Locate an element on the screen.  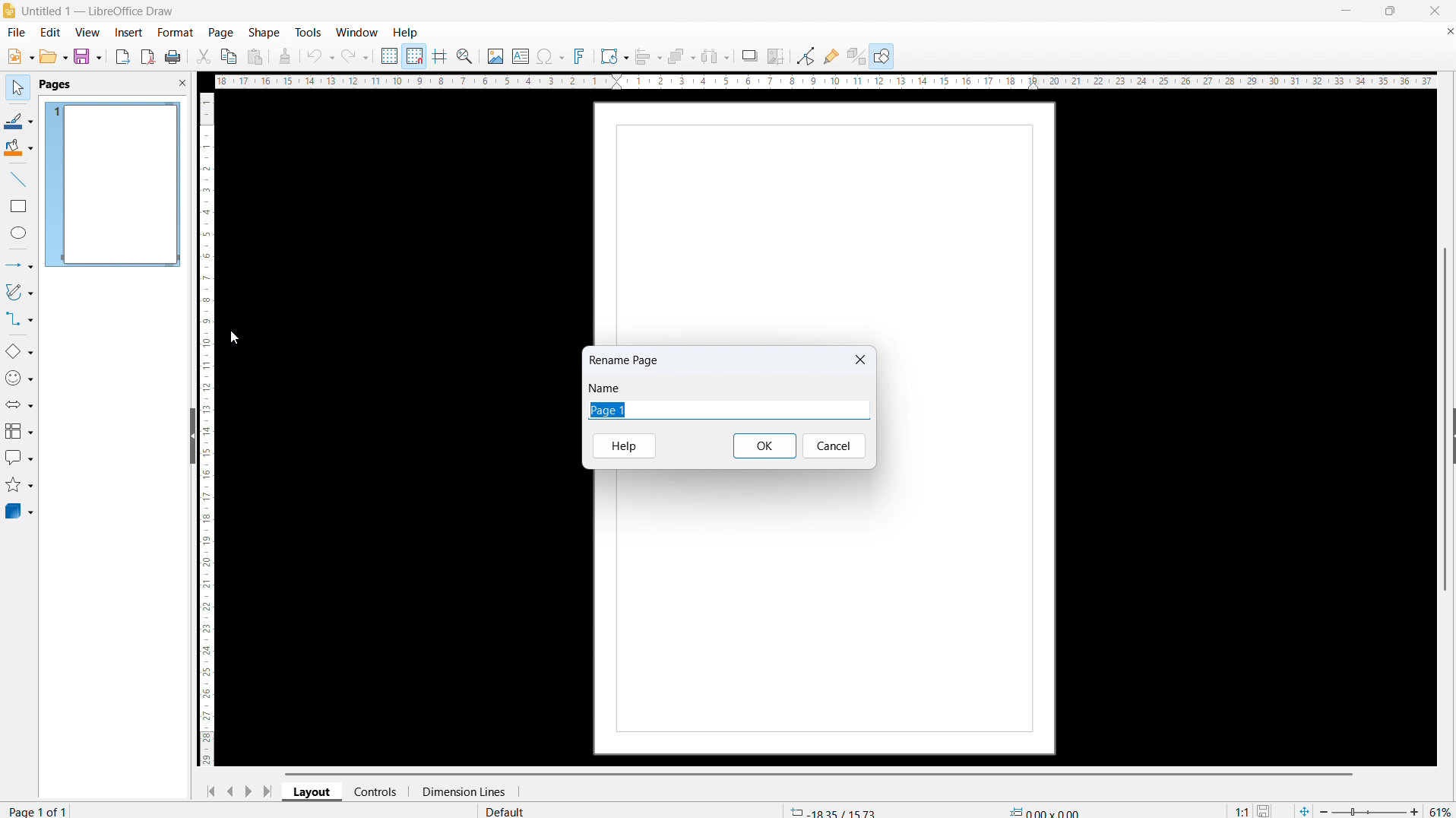
Close  is located at coordinates (860, 360).